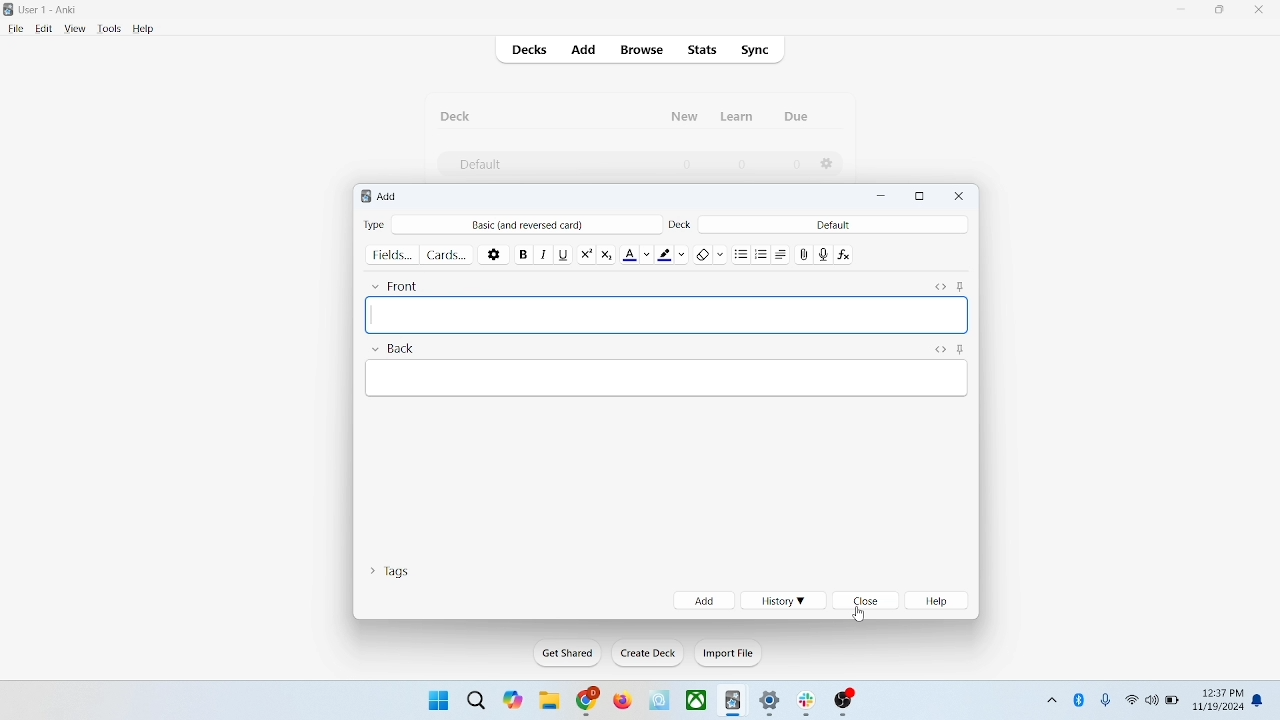 The height and width of the screenshot is (720, 1280). I want to click on front, so click(399, 283).